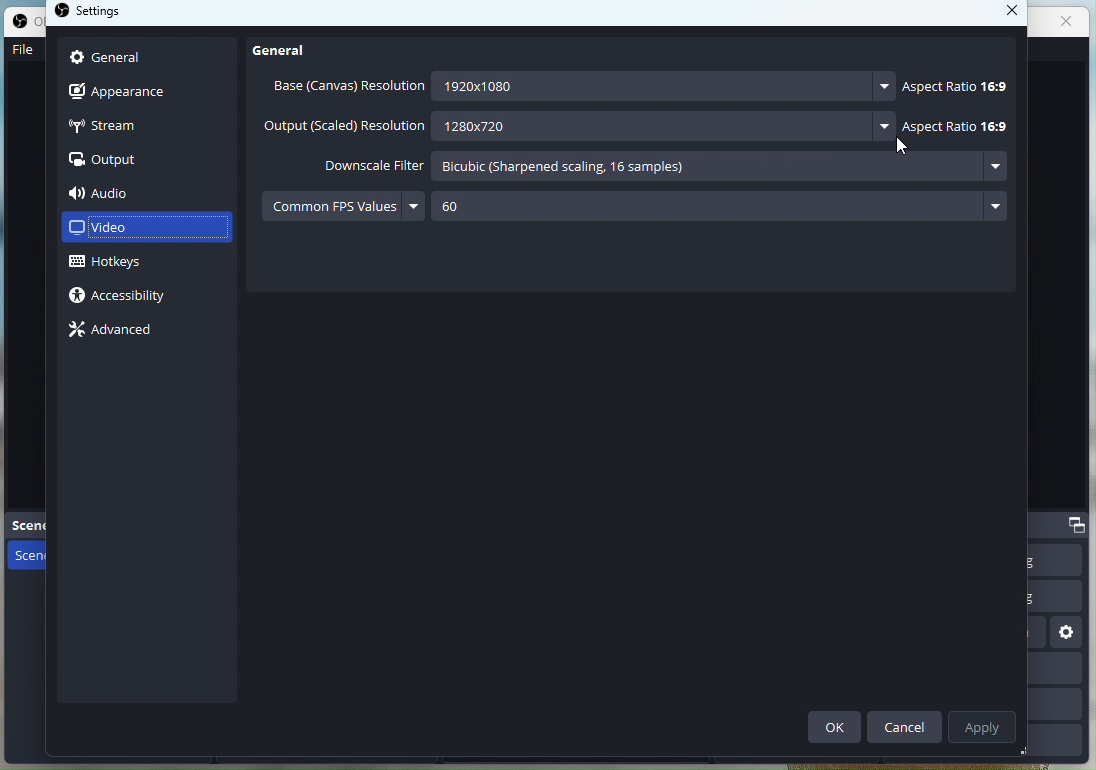  I want to click on more options, so click(888, 126).